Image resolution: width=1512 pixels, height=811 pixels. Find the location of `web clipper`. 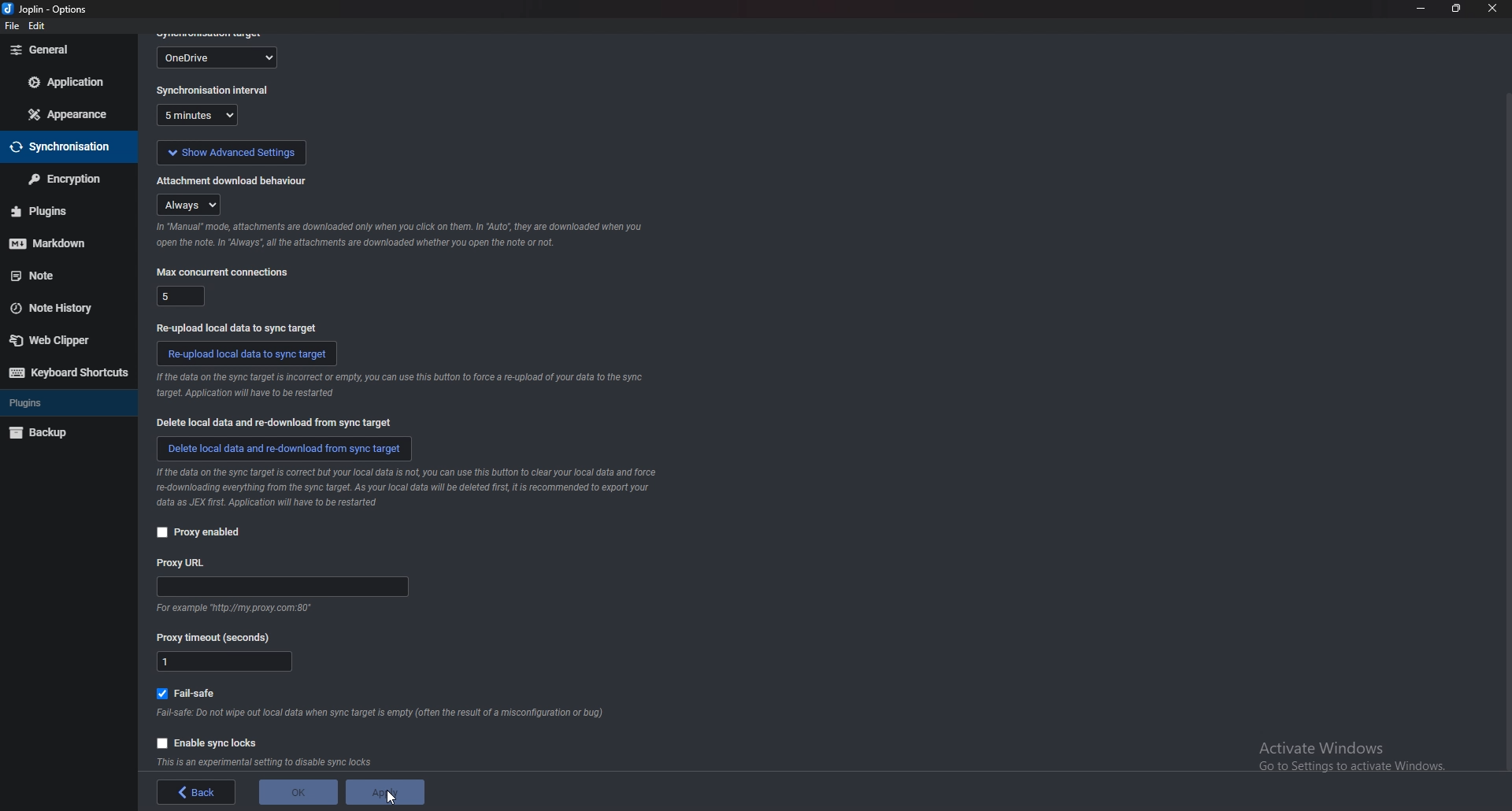

web clipper is located at coordinates (62, 342).